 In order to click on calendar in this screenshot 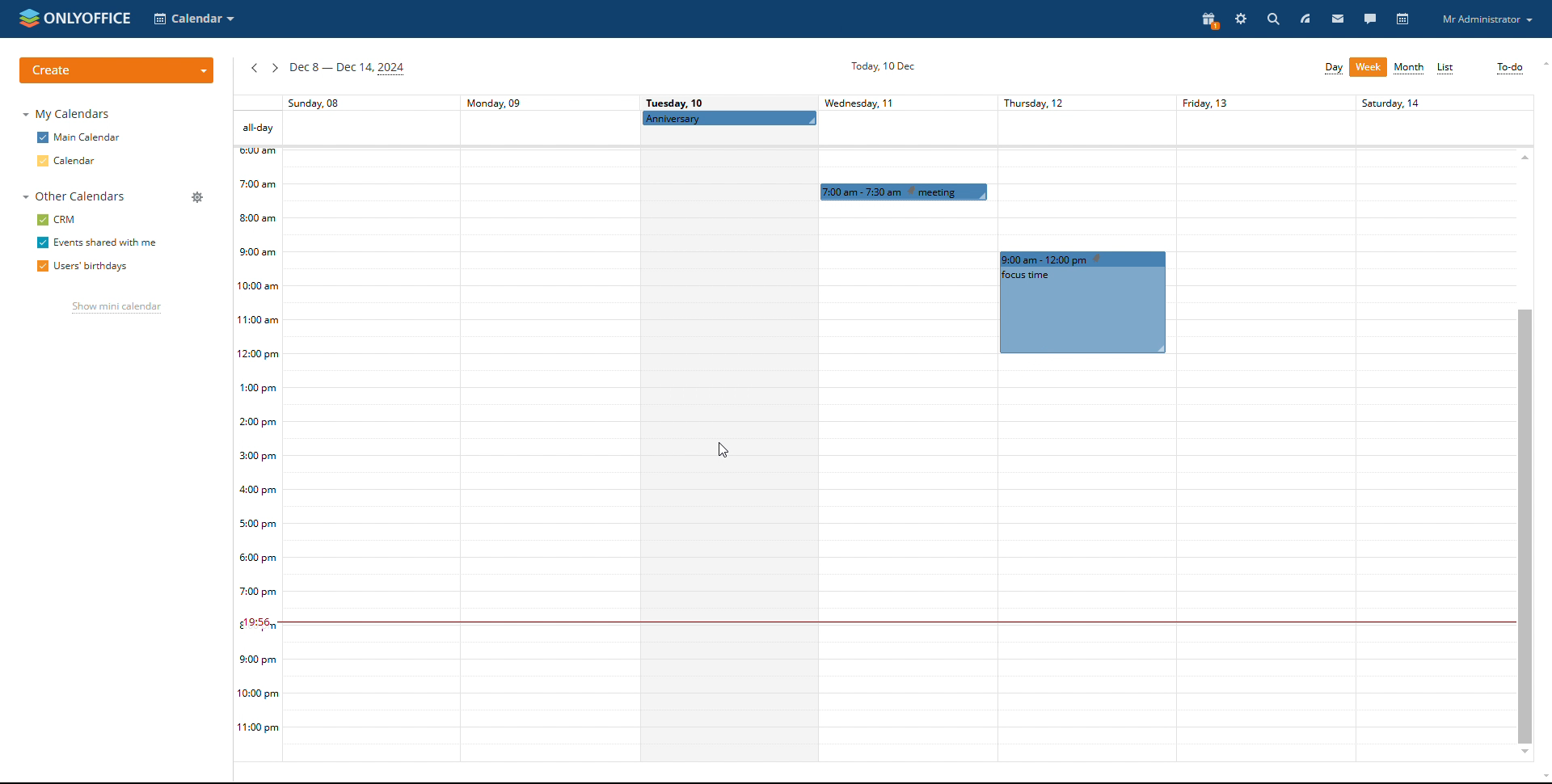, I will do `click(1404, 19)`.